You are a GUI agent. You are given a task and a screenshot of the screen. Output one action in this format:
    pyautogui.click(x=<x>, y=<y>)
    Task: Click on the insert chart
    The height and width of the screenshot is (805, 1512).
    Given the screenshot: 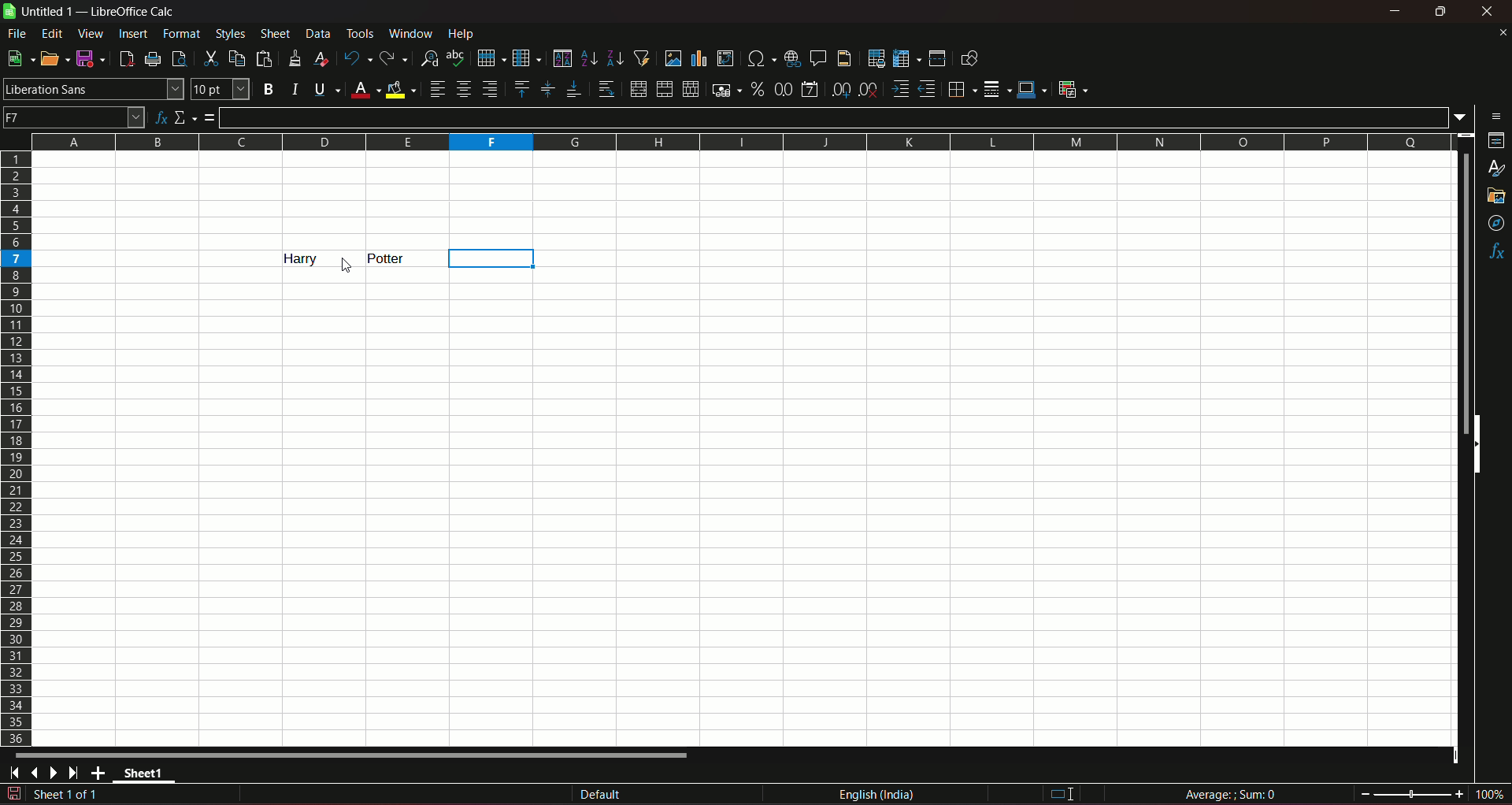 What is the action you would take?
    pyautogui.click(x=699, y=59)
    